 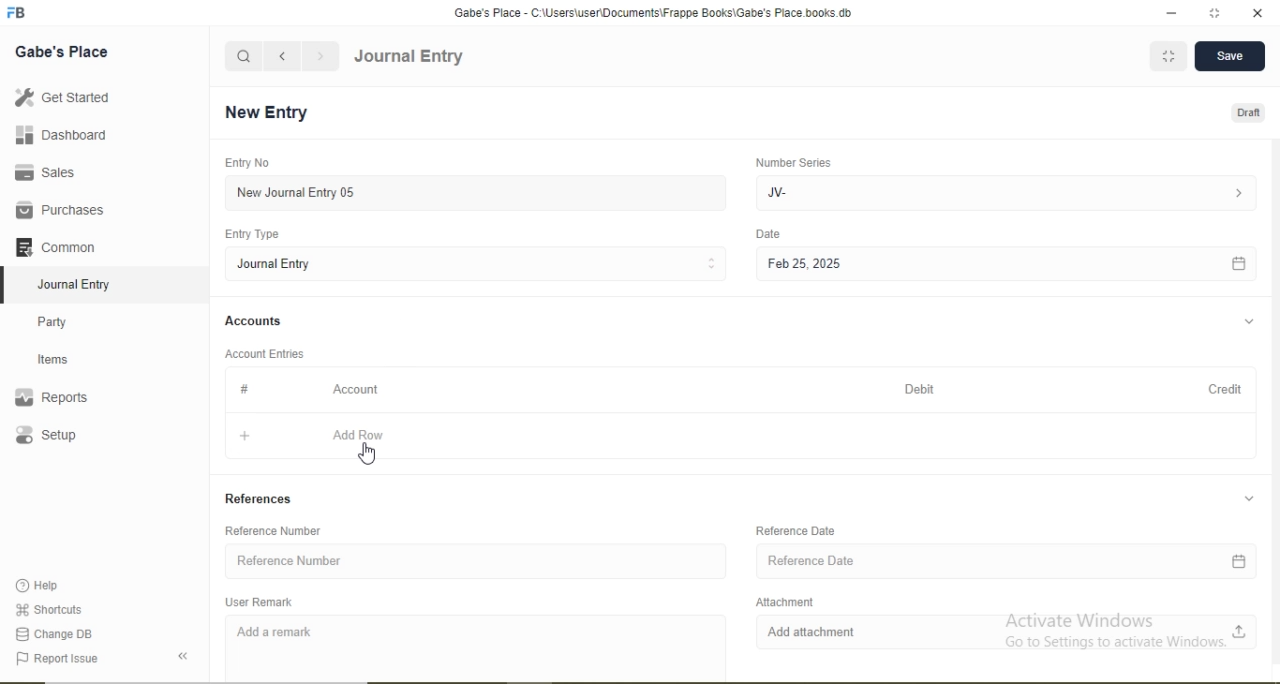 I want to click on User Remark, so click(x=262, y=601).